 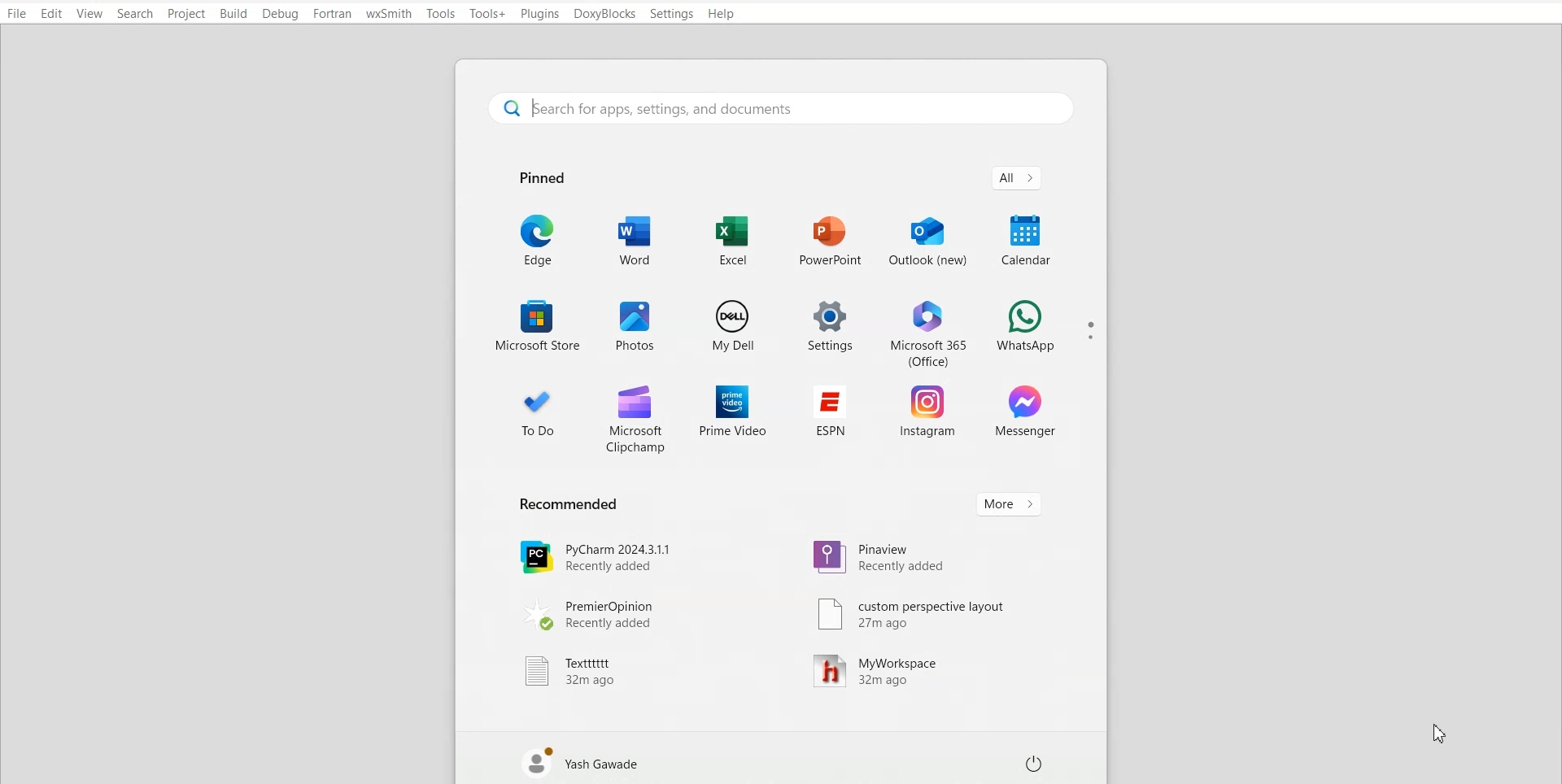 What do you see at coordinates (1441, 733) in the screenshot?
I see `Cursor` at bounding box center [1441, 733].